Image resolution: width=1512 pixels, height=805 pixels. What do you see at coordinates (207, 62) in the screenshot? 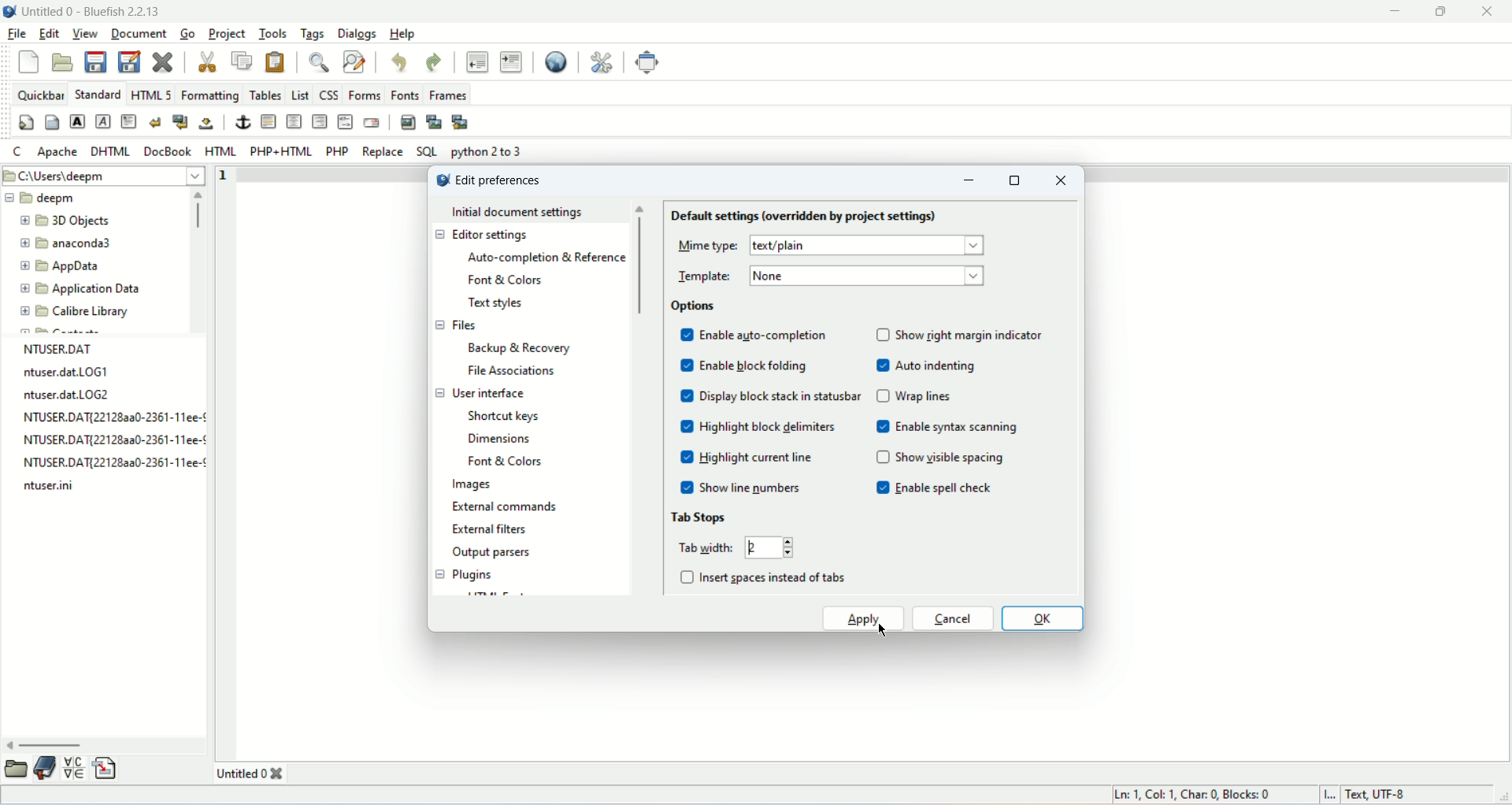
I see `cut` at bounding box center [207, 62].